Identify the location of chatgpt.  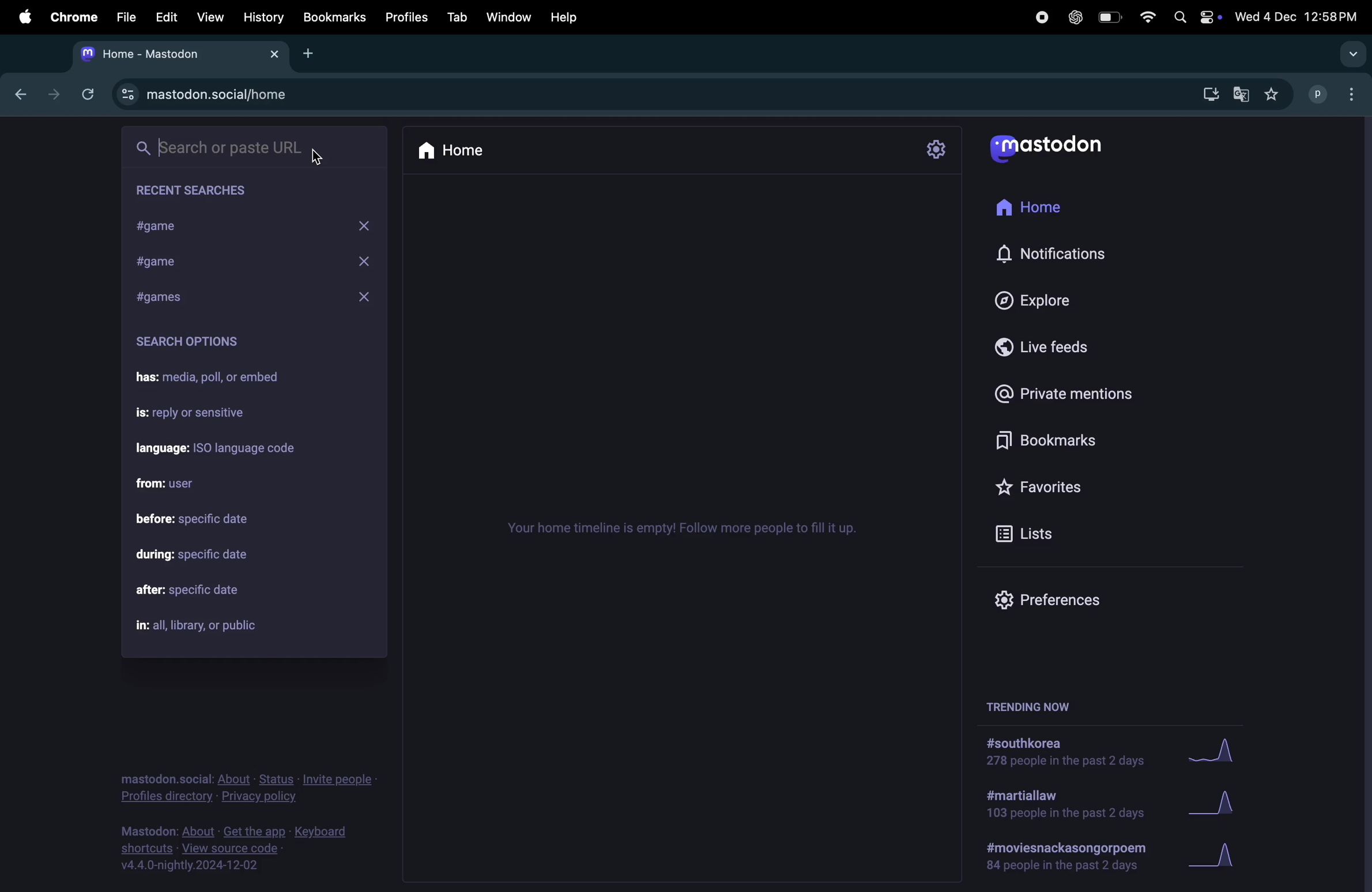
(1076, 17).